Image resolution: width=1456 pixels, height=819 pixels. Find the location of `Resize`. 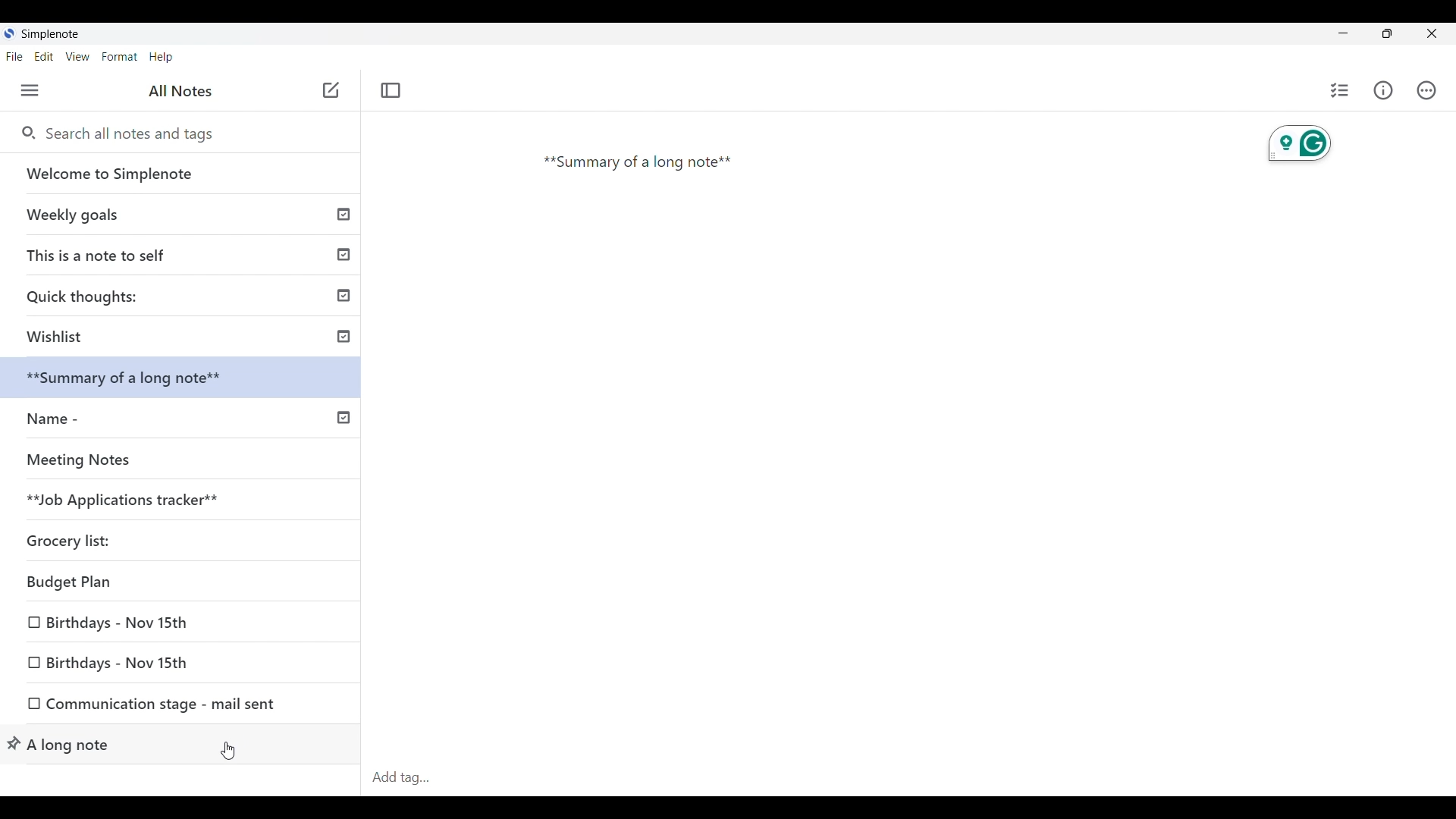

Resize is located at coordinates (1388, 33).